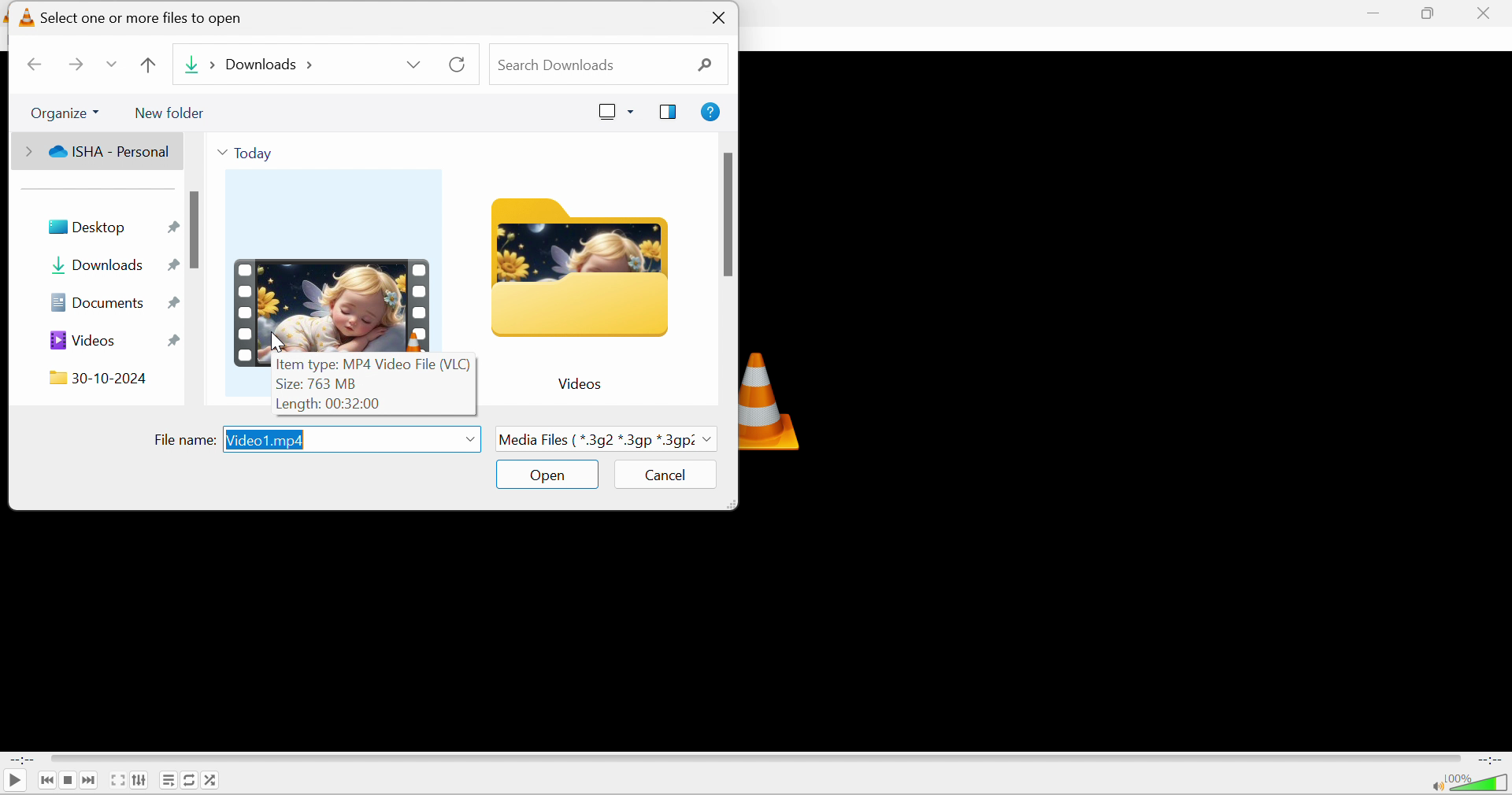 Image resolution: width=1512 pixels, height=795 pixels. Describe the element at coordinates (413, 65) in the screenshot. I see `Drop down` at that location.